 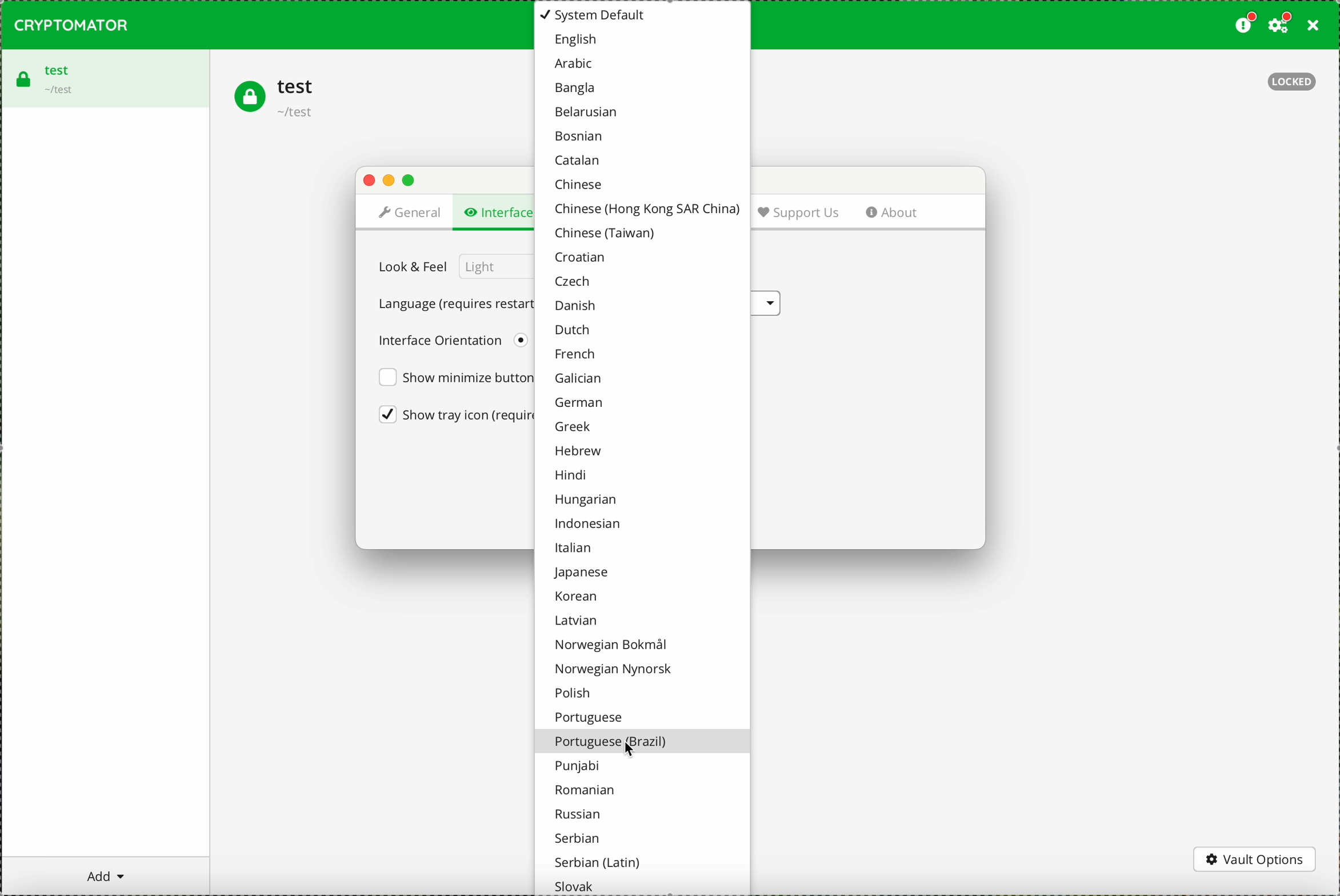 I want to click on click on language, so click(x=455, y=309).